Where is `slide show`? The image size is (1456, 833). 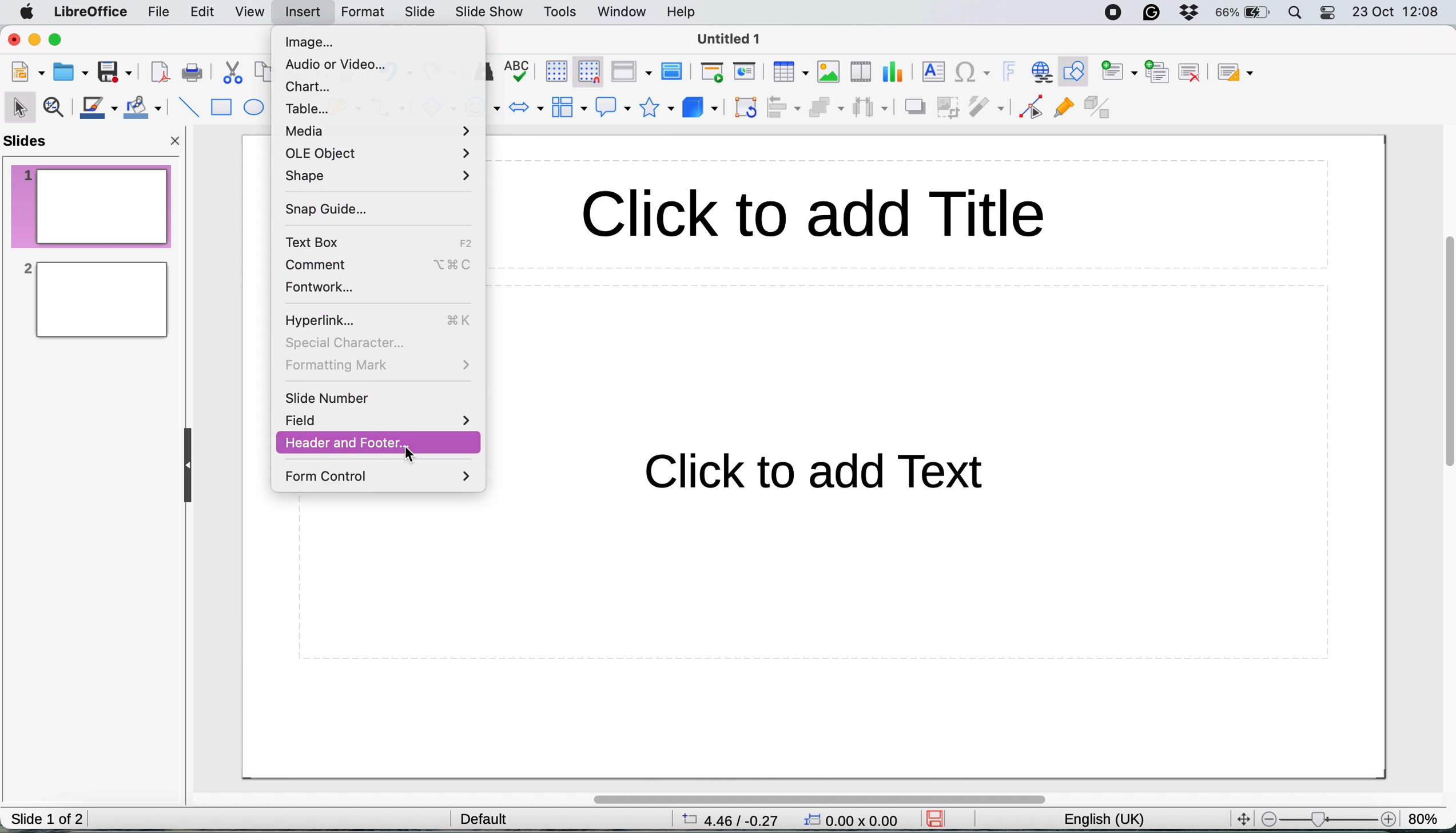
slide show is located at coordinates (491, 14).